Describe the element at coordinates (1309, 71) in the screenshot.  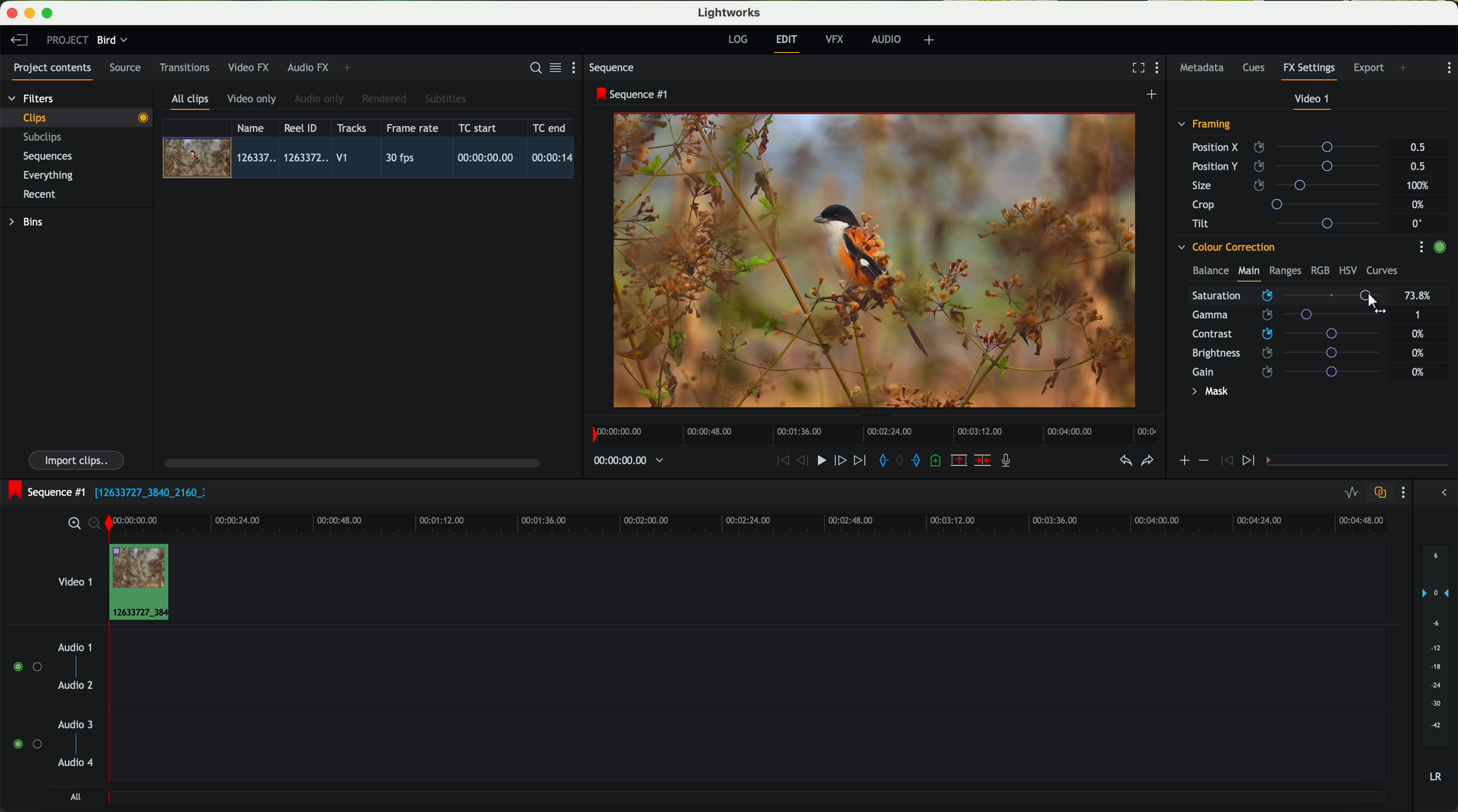
I see `fx settings` at that location.